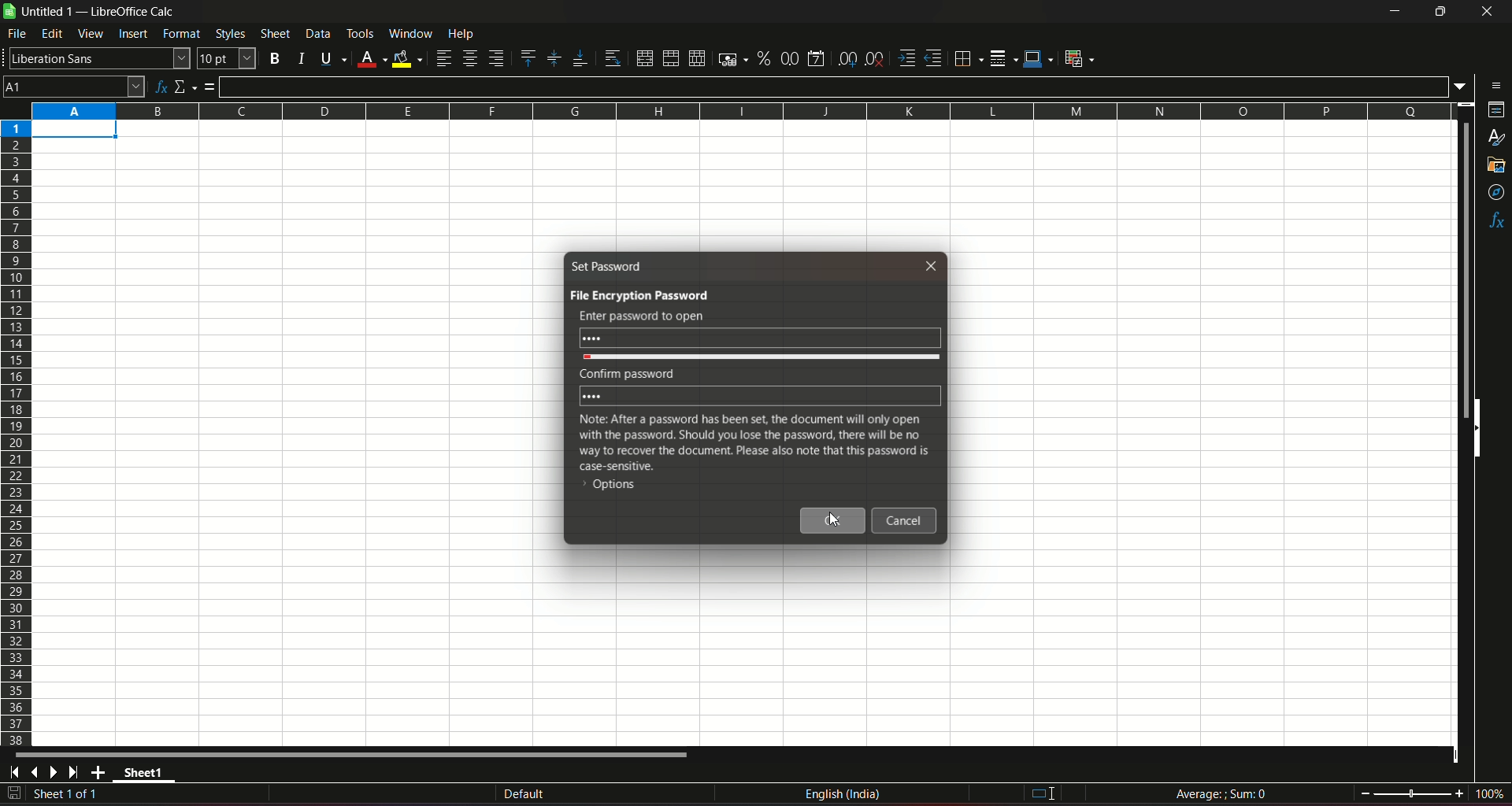 The height and width of the screenshot is (806, 1512). Describe the element at coordinates (370, 57) in the screenshot. I see `Font color` at that location.